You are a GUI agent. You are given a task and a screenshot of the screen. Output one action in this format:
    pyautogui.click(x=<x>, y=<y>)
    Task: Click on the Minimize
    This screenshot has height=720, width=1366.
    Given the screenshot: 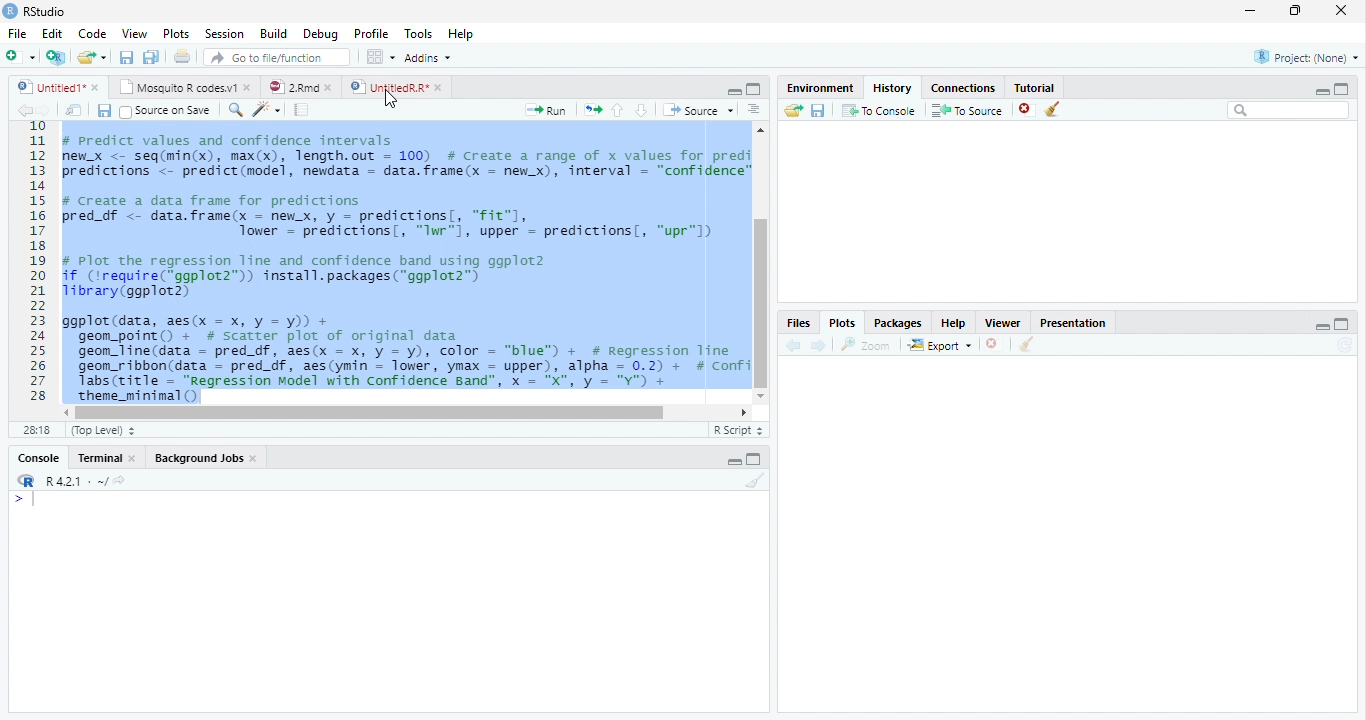 What is the action you would take?
    pyautogui.click(x=1252, y=10)
    